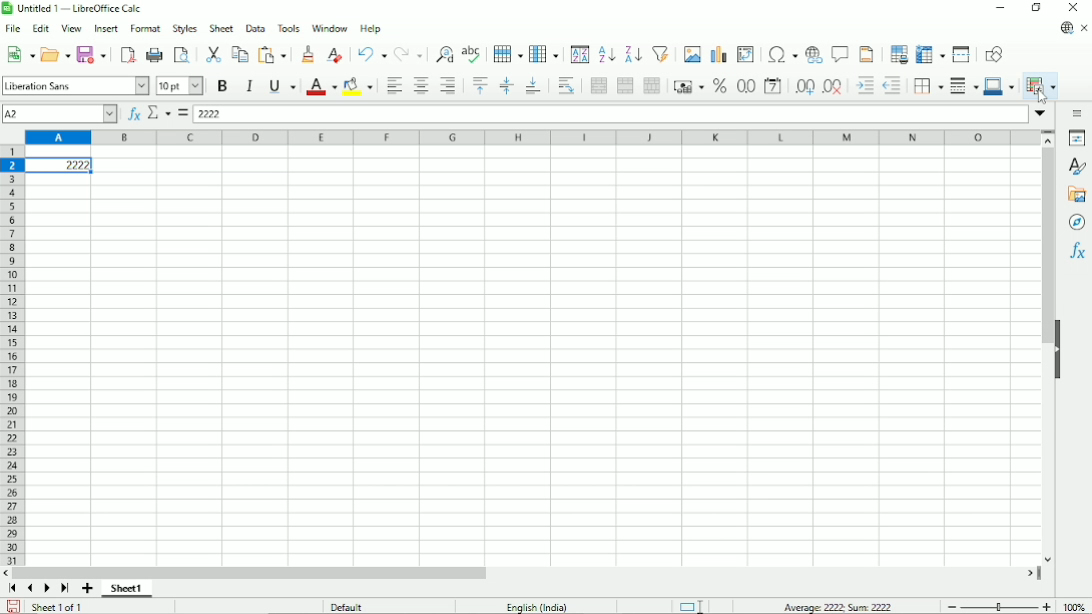 Image resolution: width=1092 pixels, height=614 pixels. Describe the element at coordinates (533, 86) in the screenshot. I see `Align bottom` at that location.